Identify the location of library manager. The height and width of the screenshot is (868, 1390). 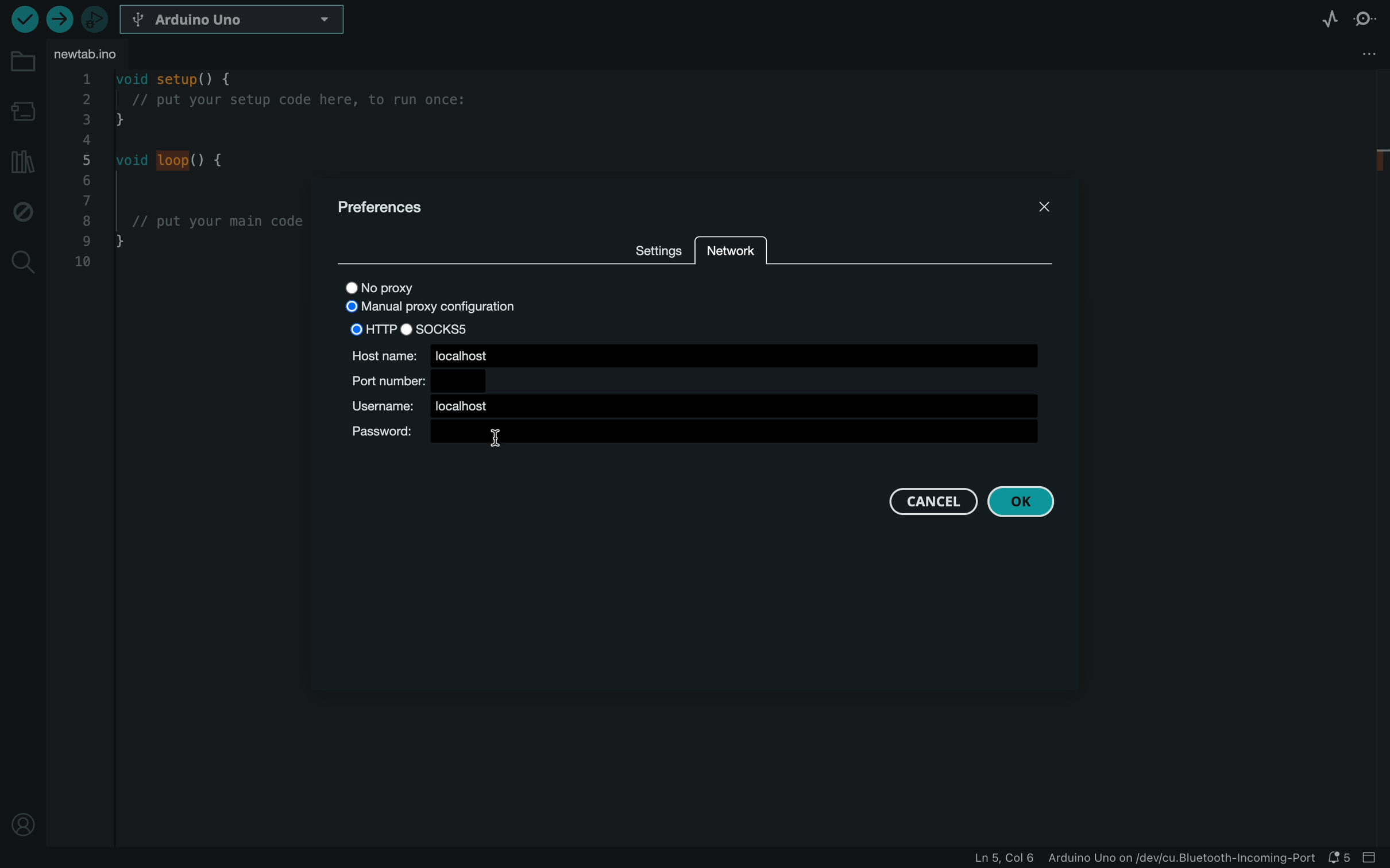
(22, 163).